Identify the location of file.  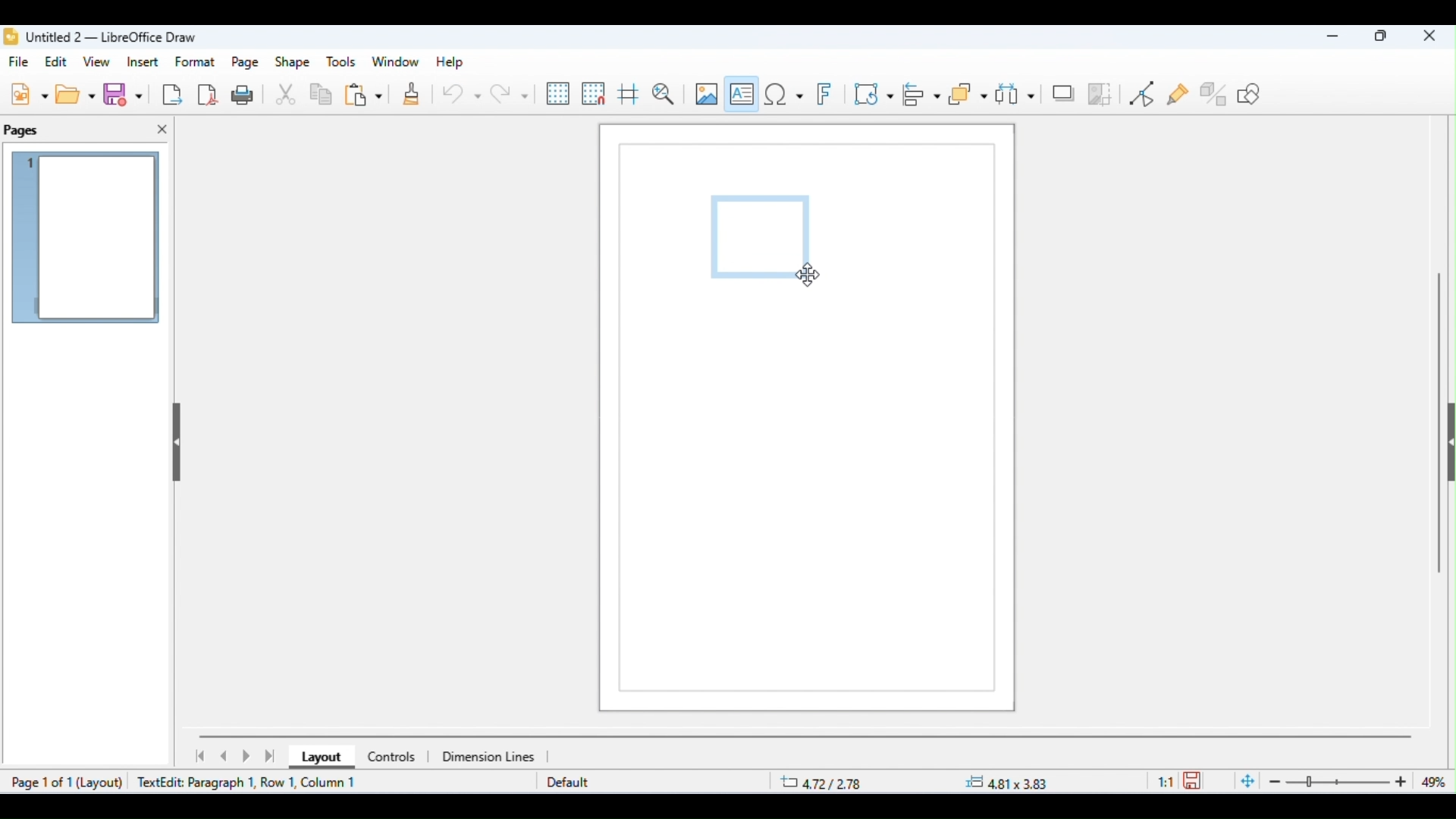
(21, 63).